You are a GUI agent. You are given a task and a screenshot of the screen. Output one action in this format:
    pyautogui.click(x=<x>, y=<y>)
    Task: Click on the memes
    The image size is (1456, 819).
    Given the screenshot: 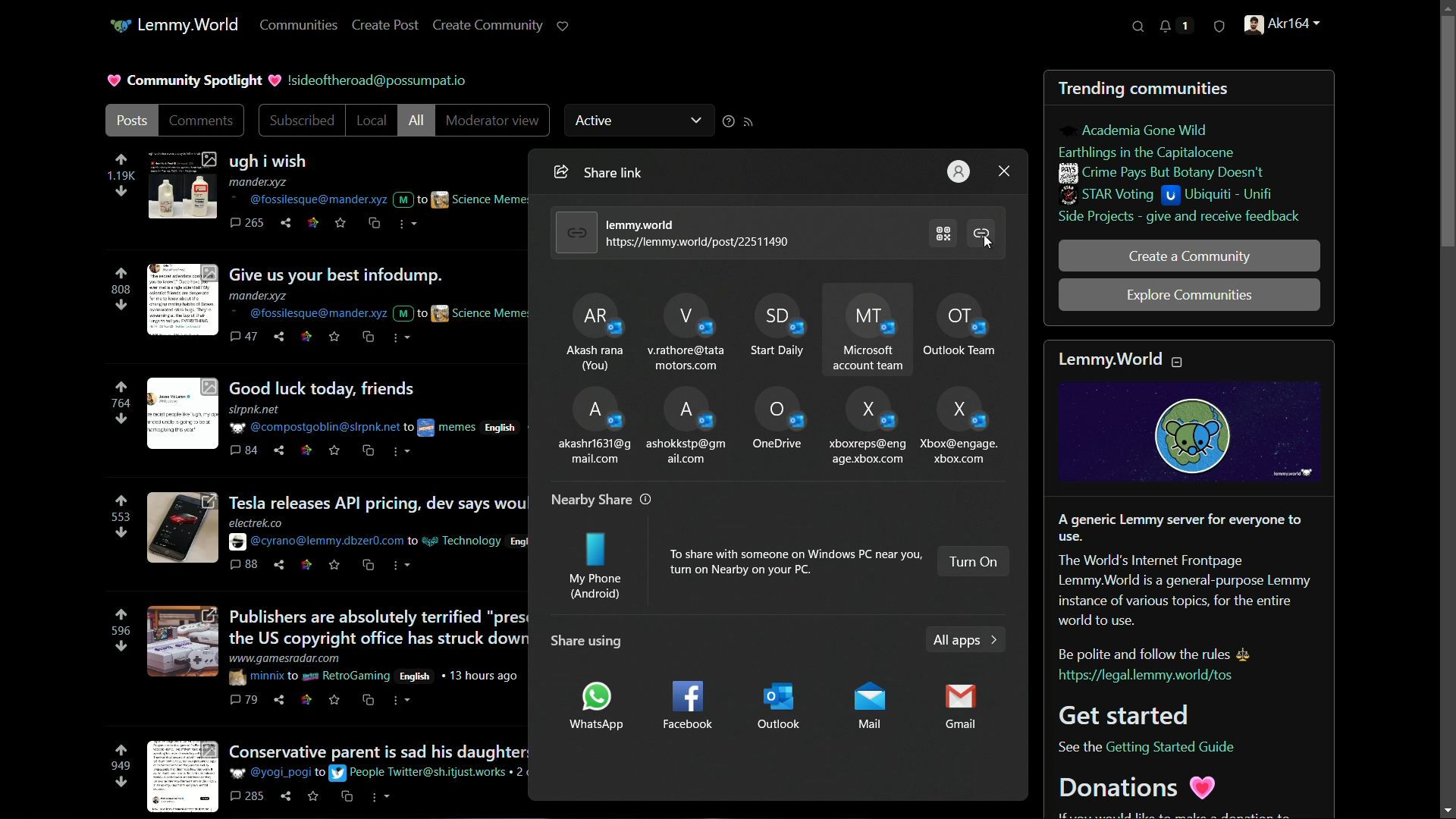 What is the action you would take?
    pyautogui.click(x=447, y=428)
    